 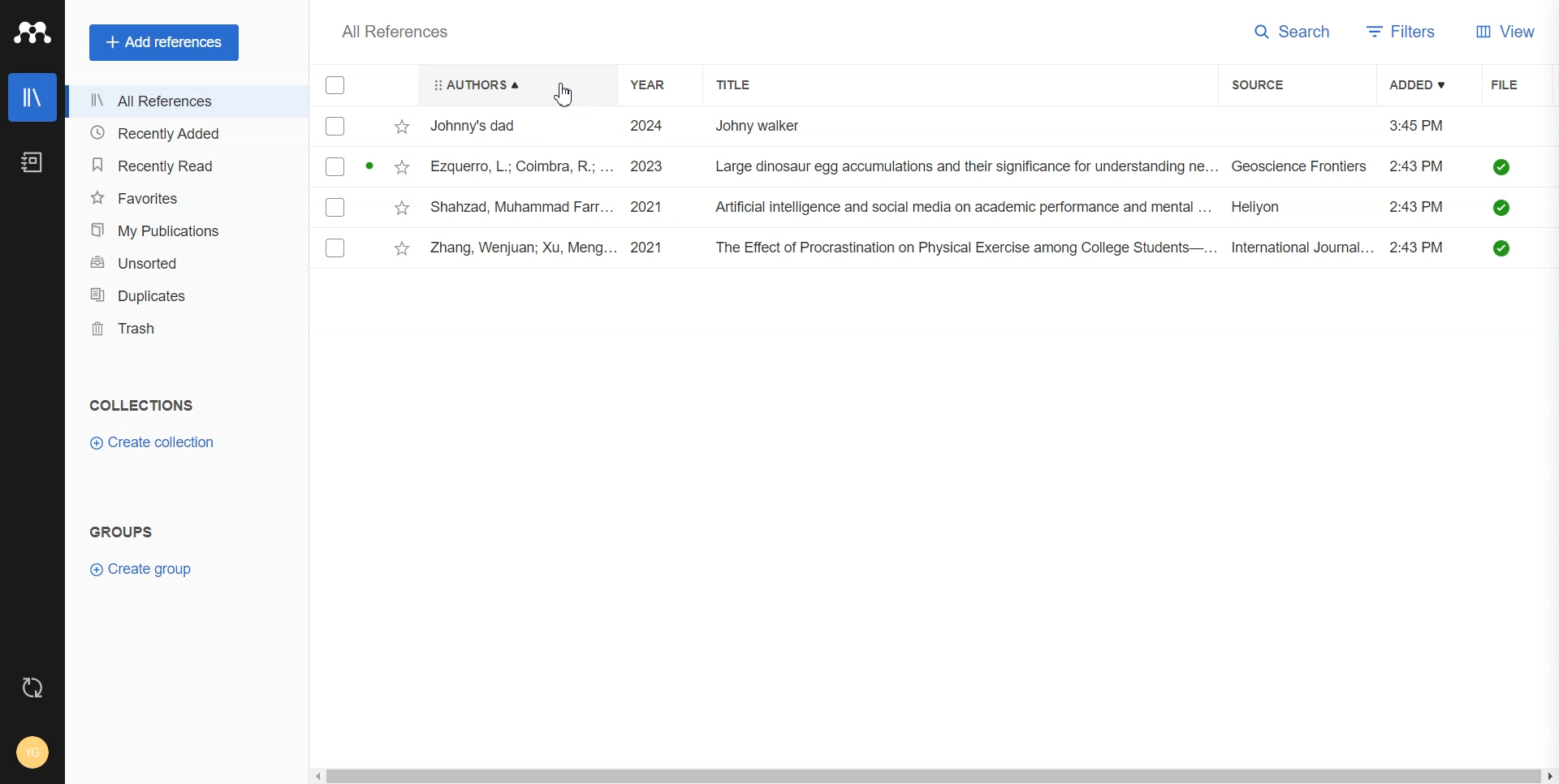 What do you see at coordinates (179, 230) in the screenshot?
I see `My Publication` at bounding box center [179, 230].